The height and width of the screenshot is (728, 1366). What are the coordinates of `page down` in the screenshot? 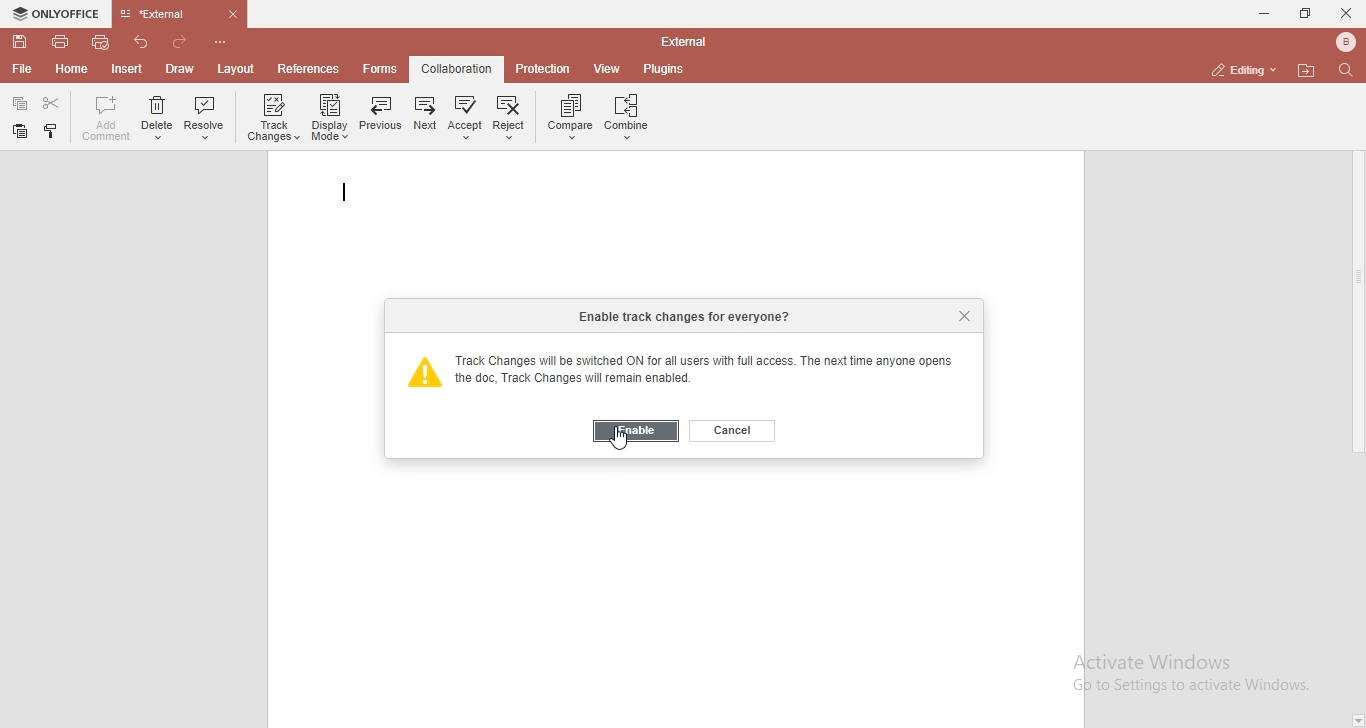 It's located at (1357, 721).